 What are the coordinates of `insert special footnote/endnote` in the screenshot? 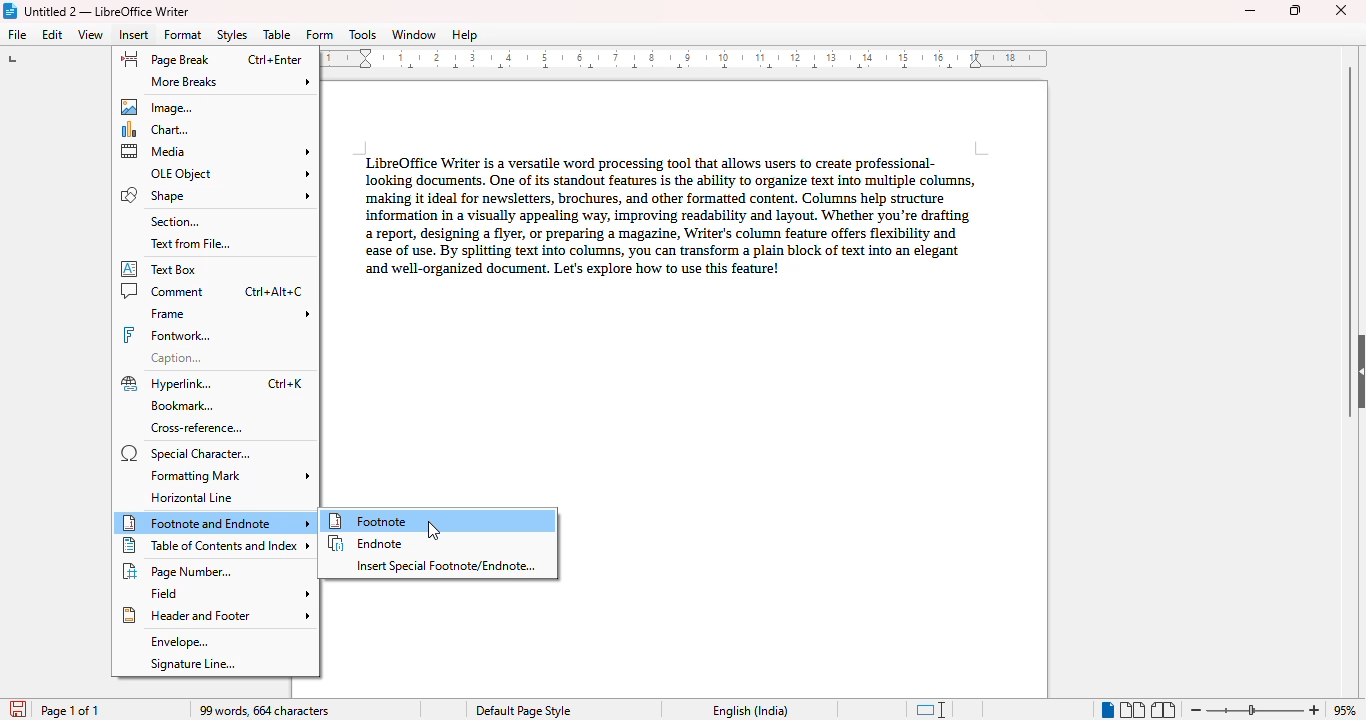 It's located at (447, 566).